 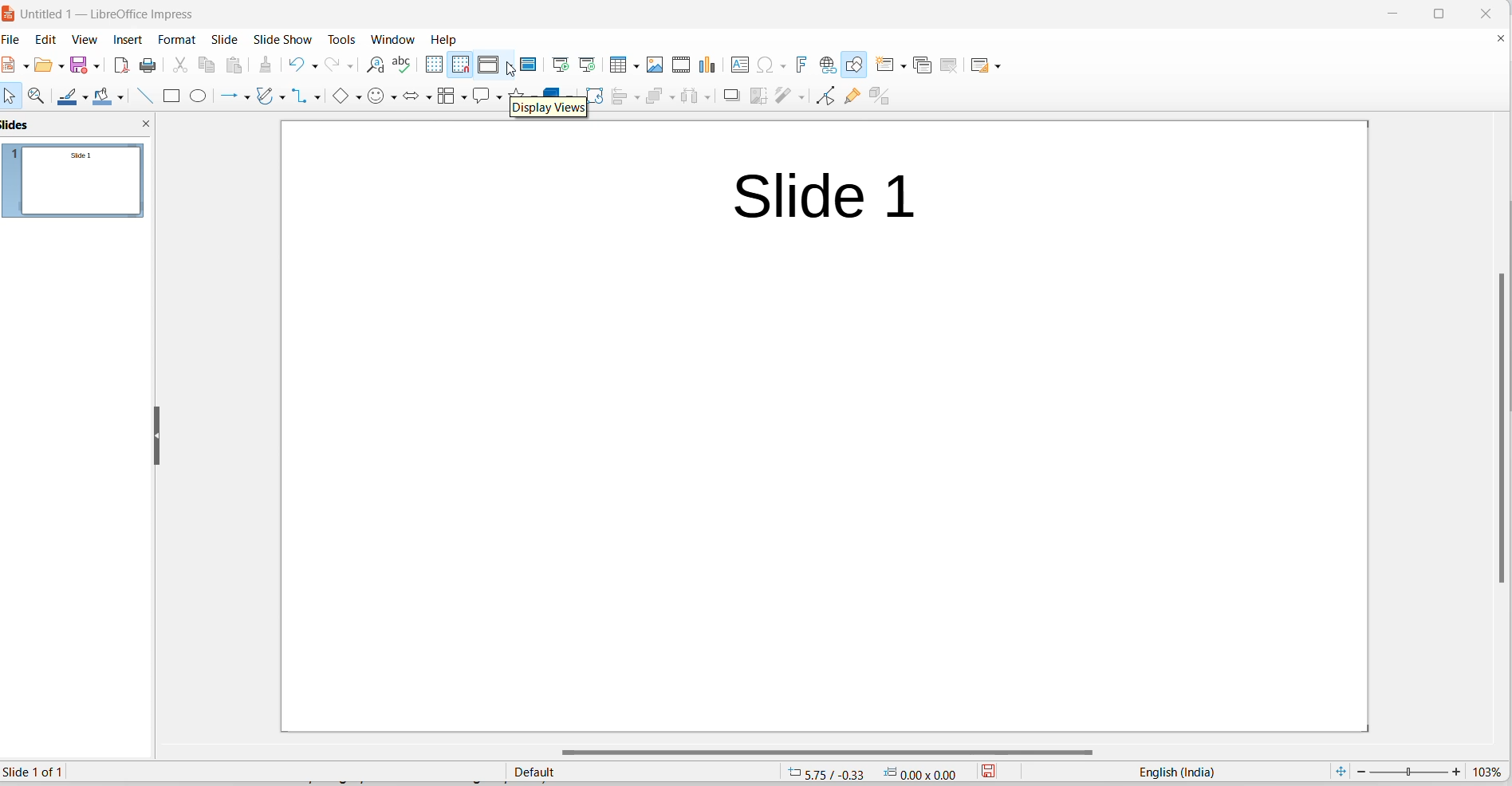 What do you see at coordinates (104, 15) in the screenshot?
I see `file title` at bounding box center [104, 15].